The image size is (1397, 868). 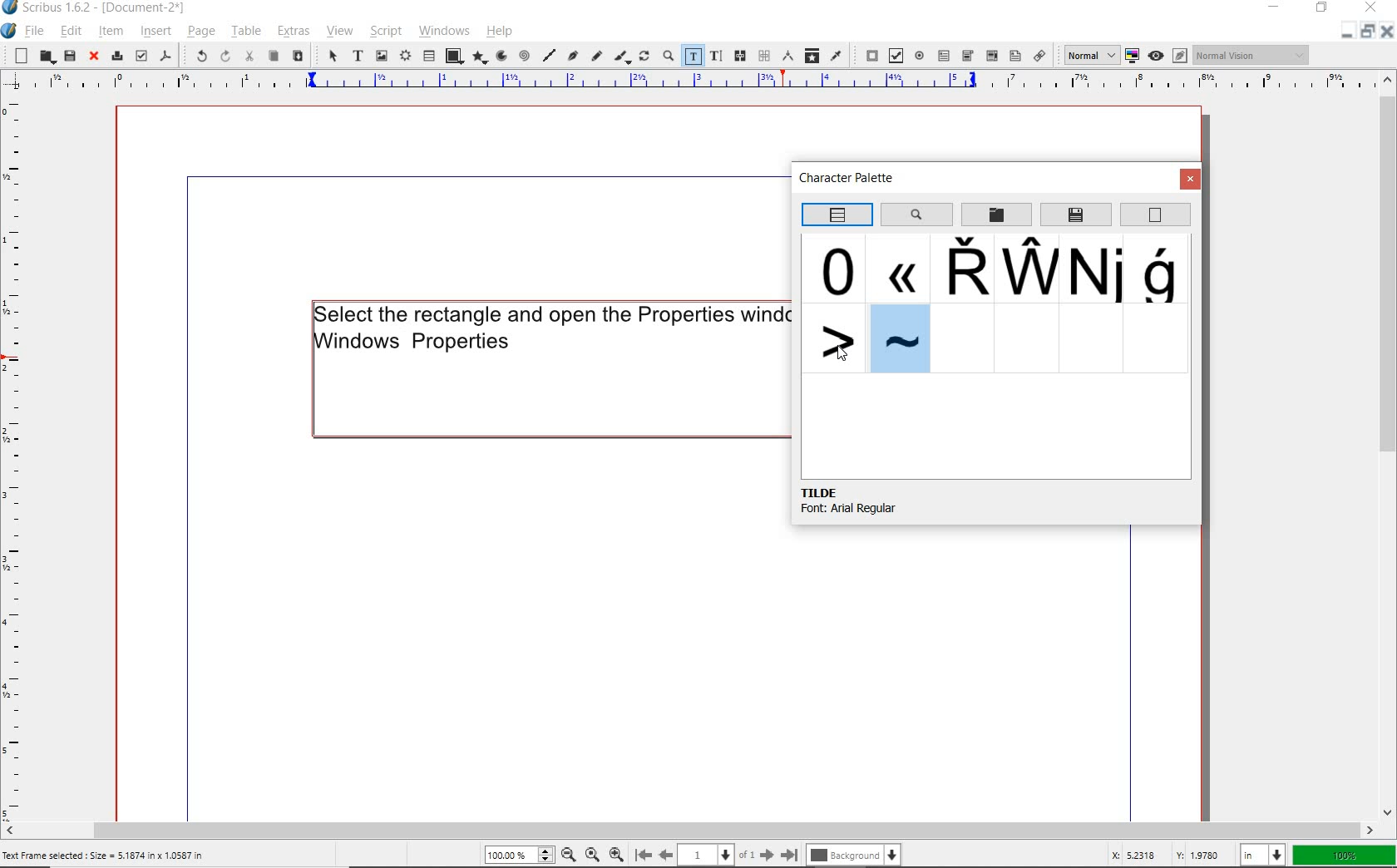 What do you see at coordinates (916, 214) in the screenshot?
I see `Unicode search` at bounding box center [916, 214].